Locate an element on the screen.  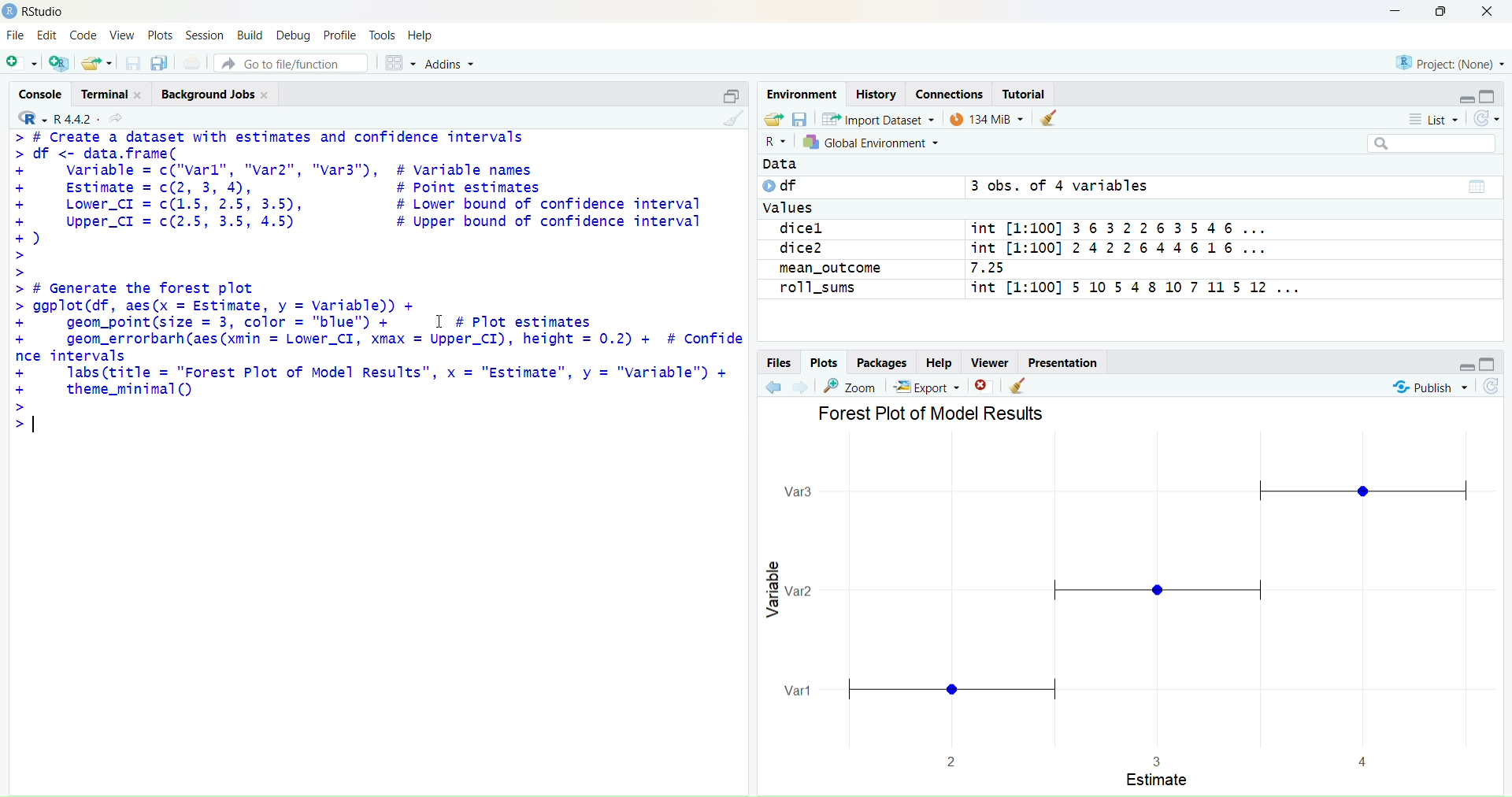
refresh is located at coordinates (1487, 118).